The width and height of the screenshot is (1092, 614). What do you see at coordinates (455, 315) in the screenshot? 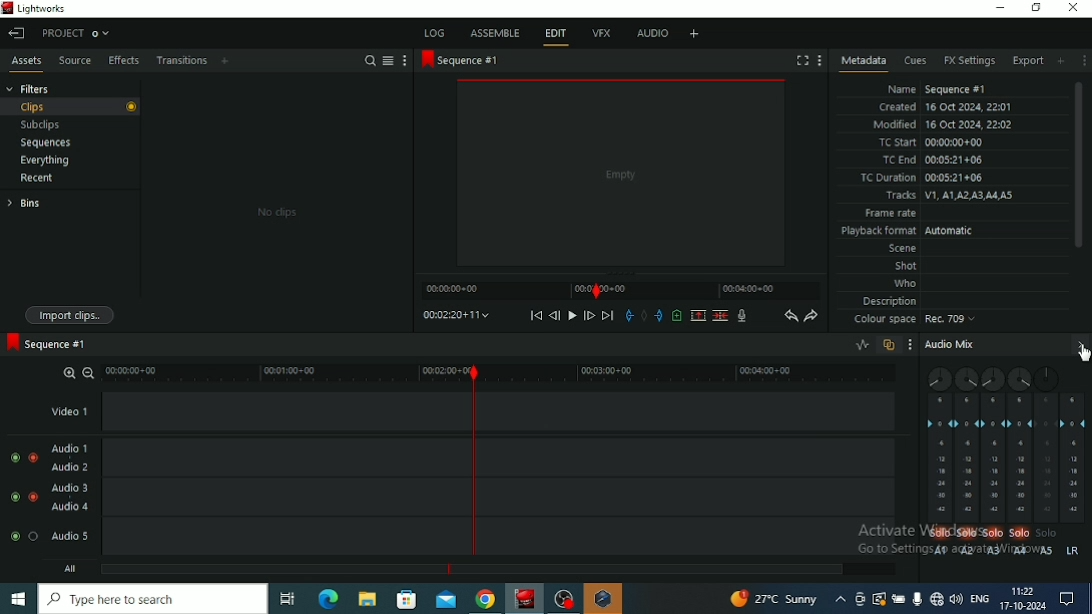
I see `Timecodes and reels` at bounding box center [455, 315].